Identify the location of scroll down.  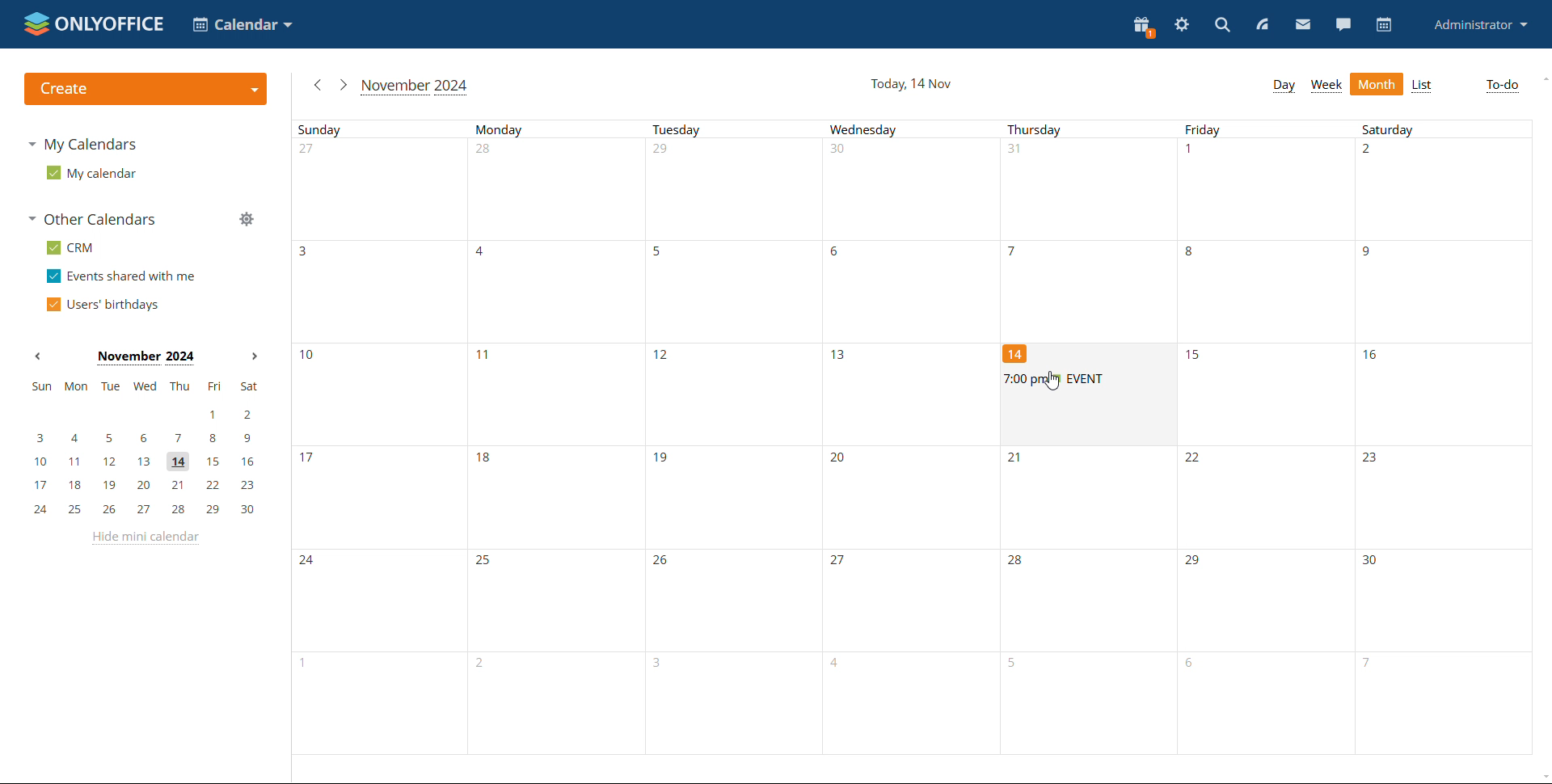
(1542, 777).